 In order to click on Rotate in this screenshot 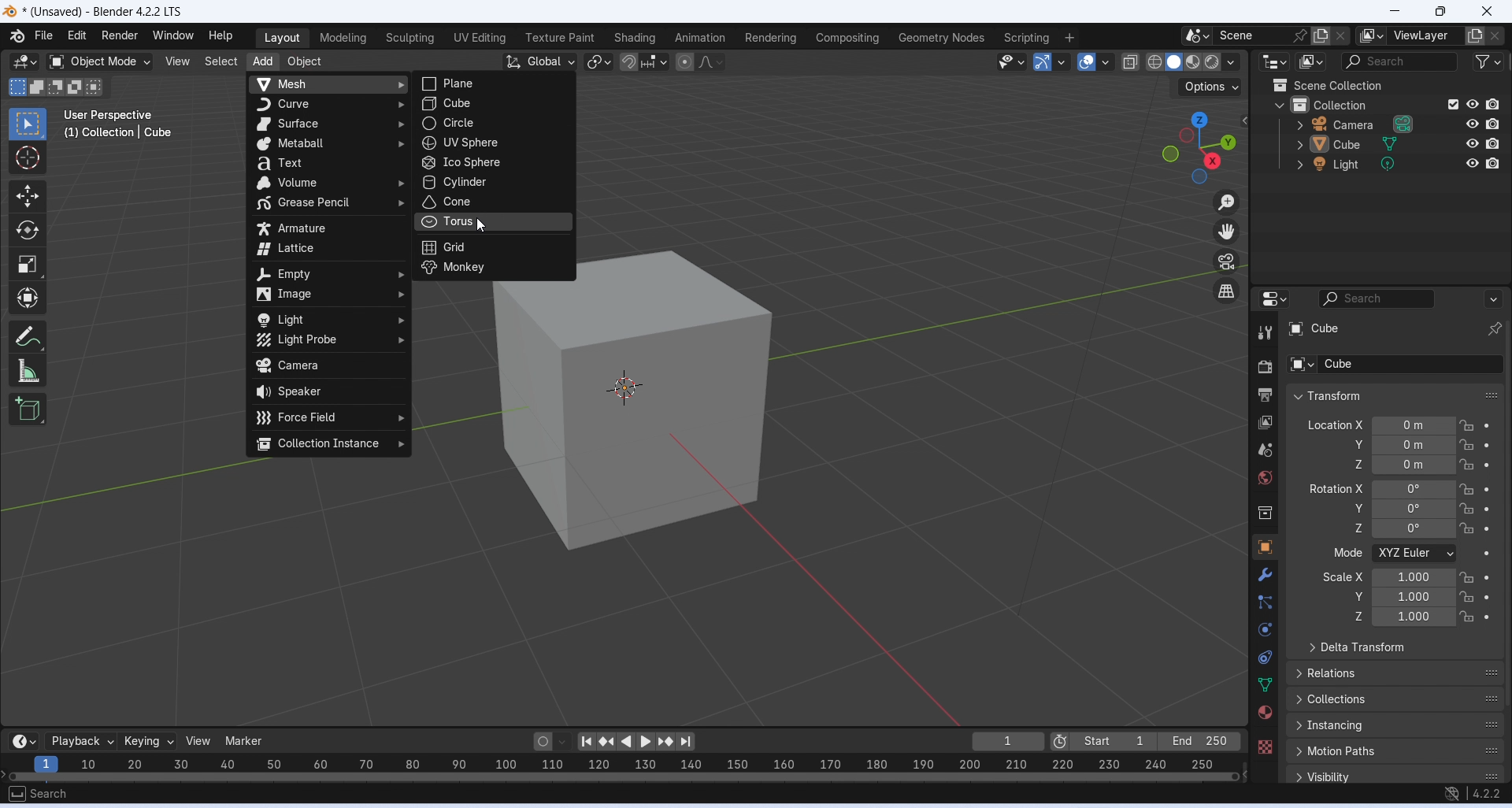, I will do `click(24, 231)`.